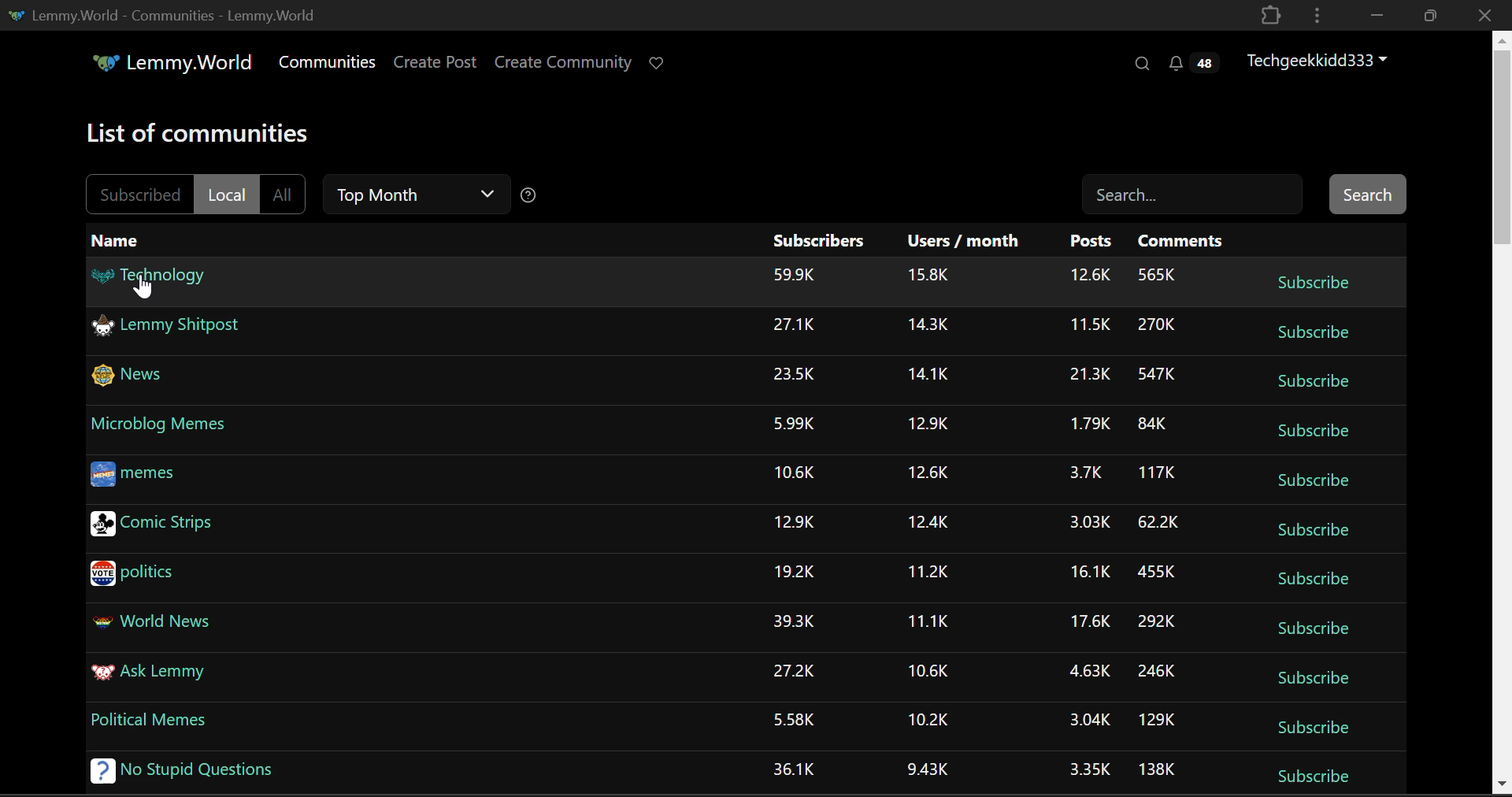  I want to click on Amount, so click(1090, 375).